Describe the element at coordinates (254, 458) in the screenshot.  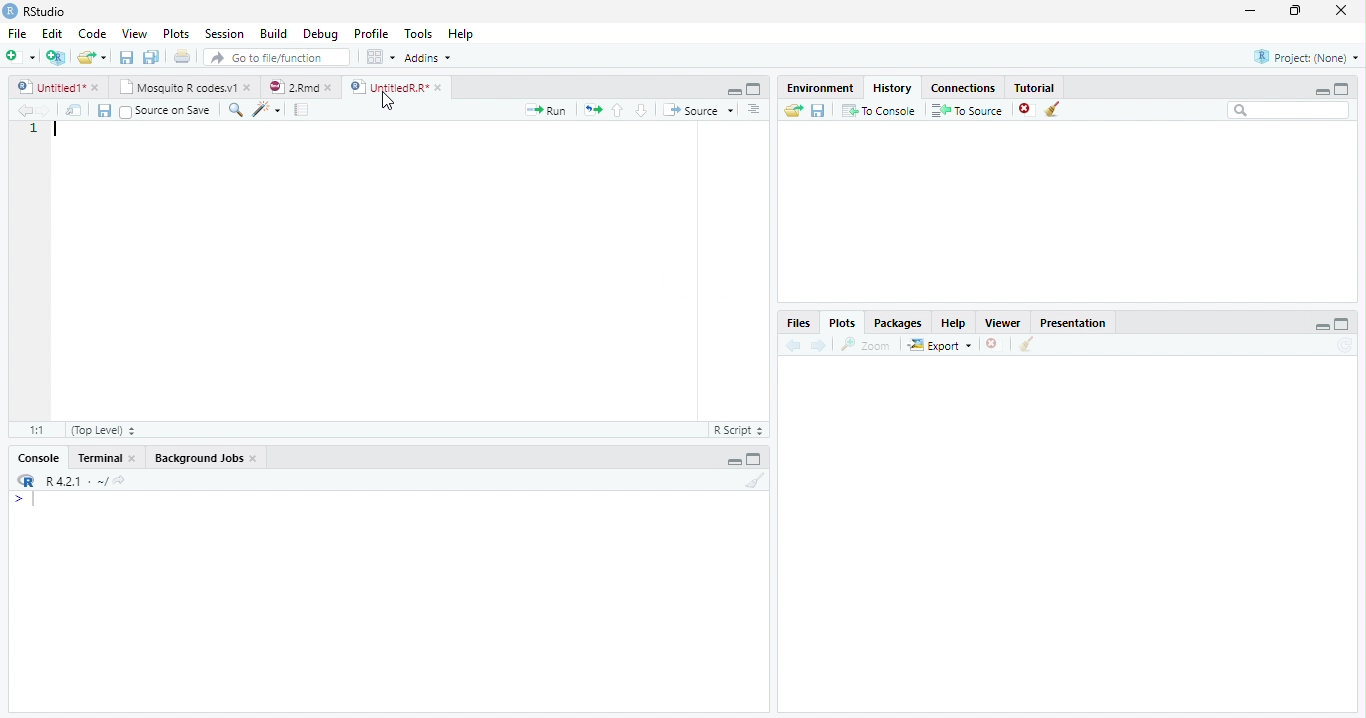
I see `close` at that location.